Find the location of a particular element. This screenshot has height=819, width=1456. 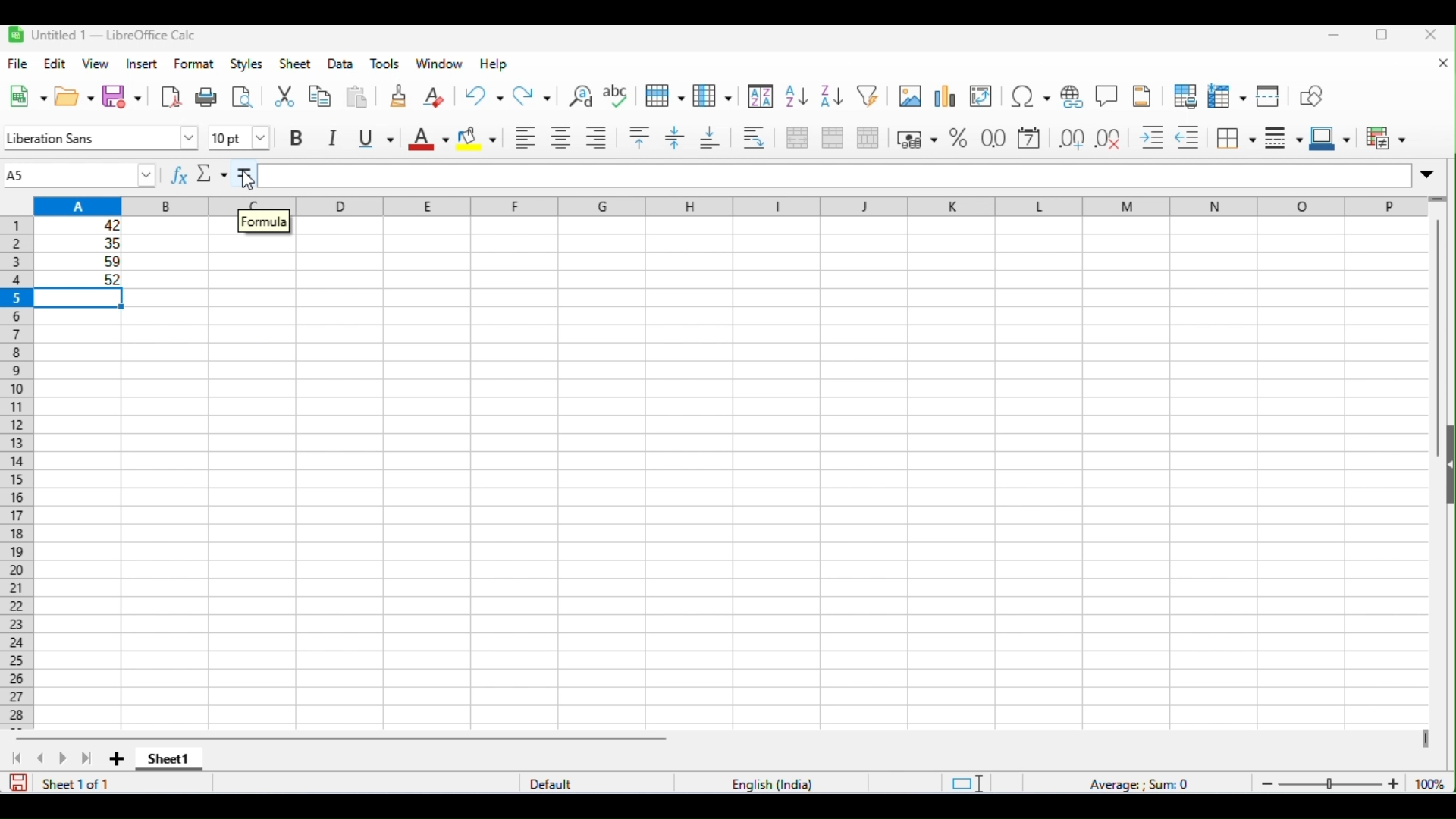

column headings is located at coordinates (727, 204).